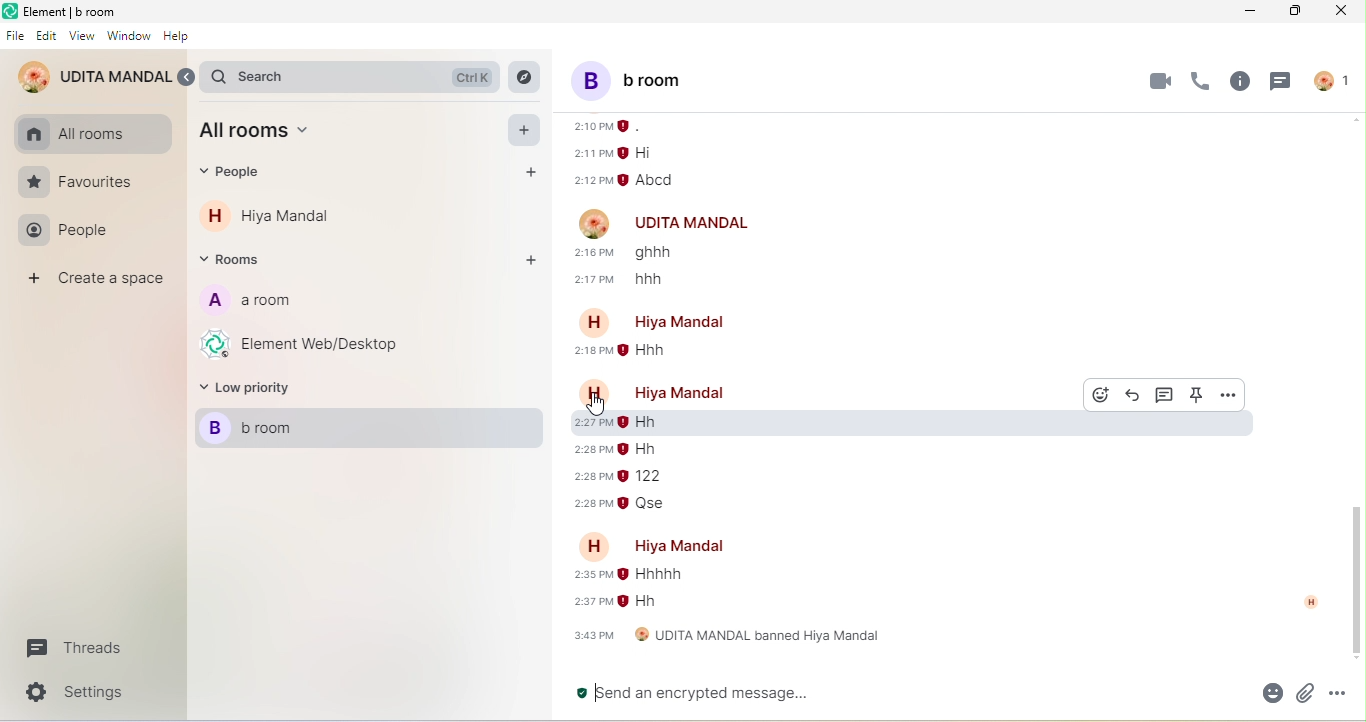 Image resolution: width=1366 pixels, height=722 pixels. Describe the element at coordinates (263, 134) in the screenshot. I see `all room` at that location.